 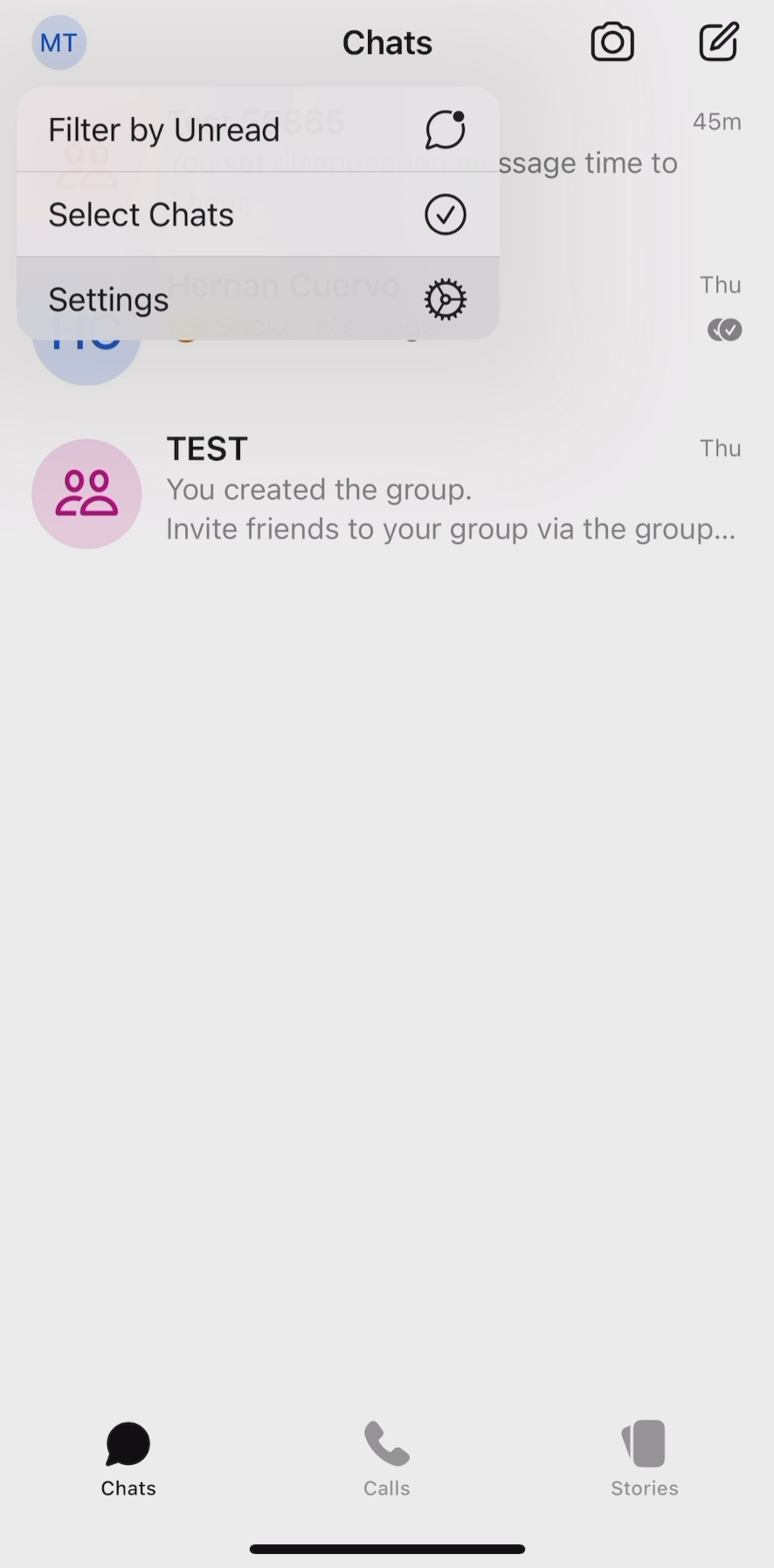 I want to click on filter by unread, so click(x=258, y=121).